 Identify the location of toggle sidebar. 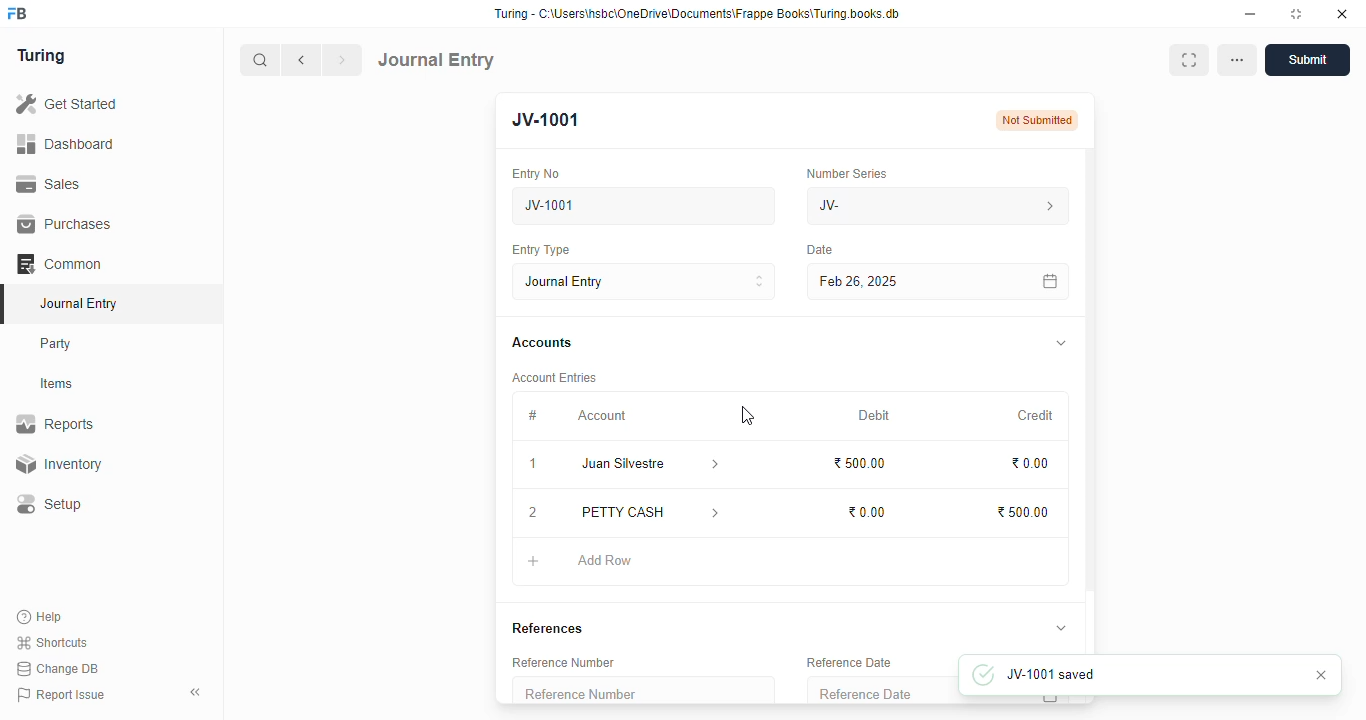
(197, 692).